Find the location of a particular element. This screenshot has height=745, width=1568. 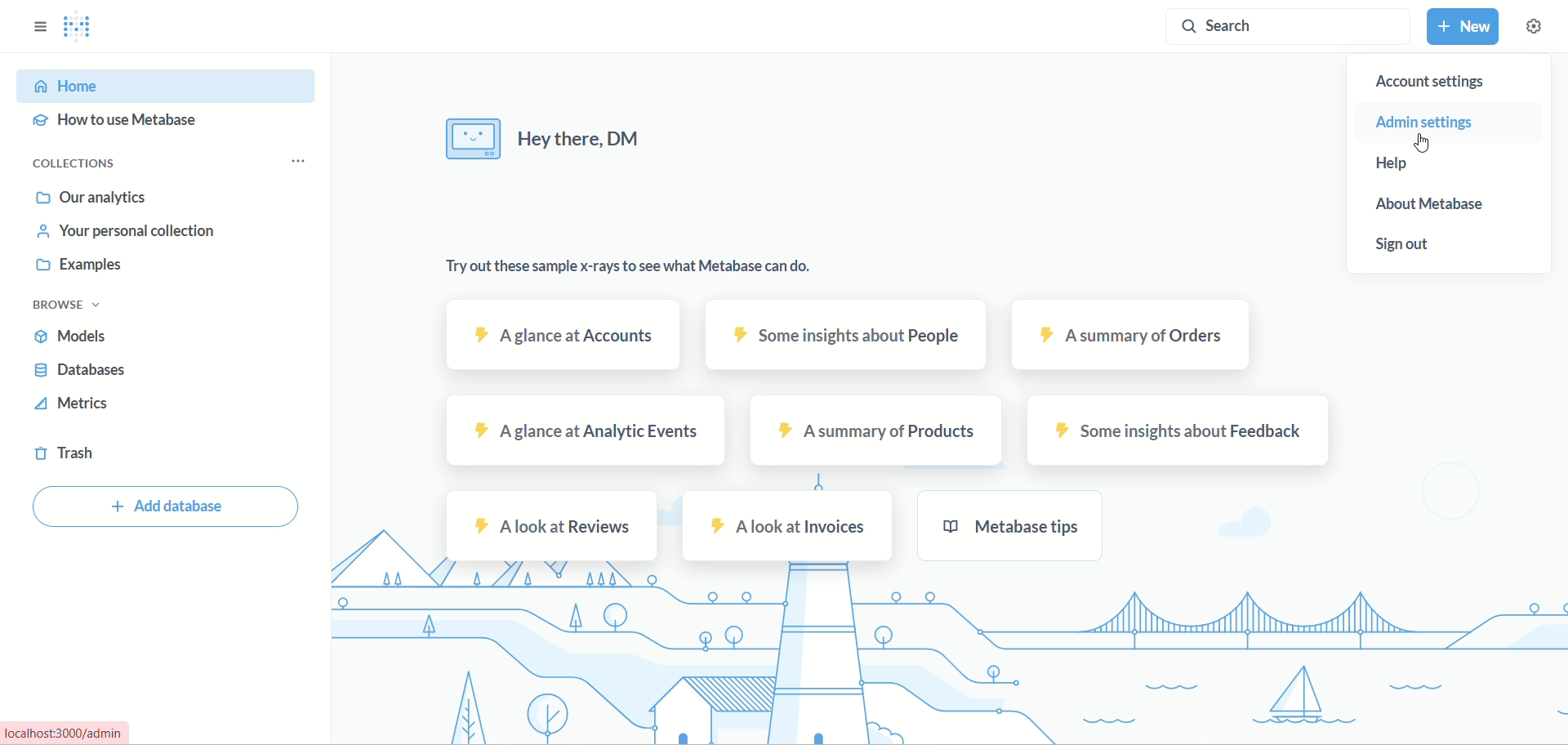

metabase tips is located at coordinates (1012, 528).